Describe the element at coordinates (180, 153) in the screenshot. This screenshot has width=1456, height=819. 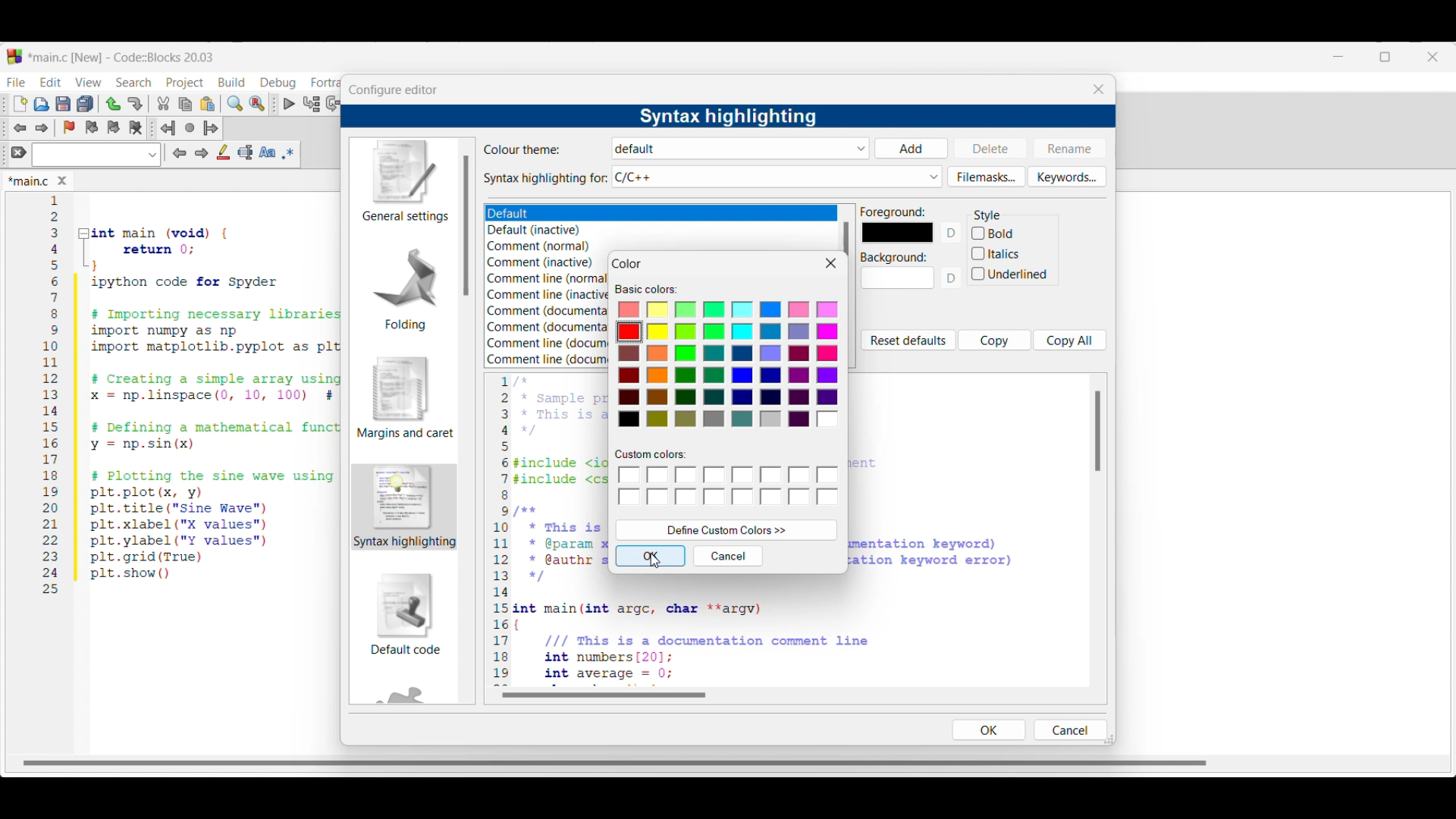
I see `Previous` at that location.